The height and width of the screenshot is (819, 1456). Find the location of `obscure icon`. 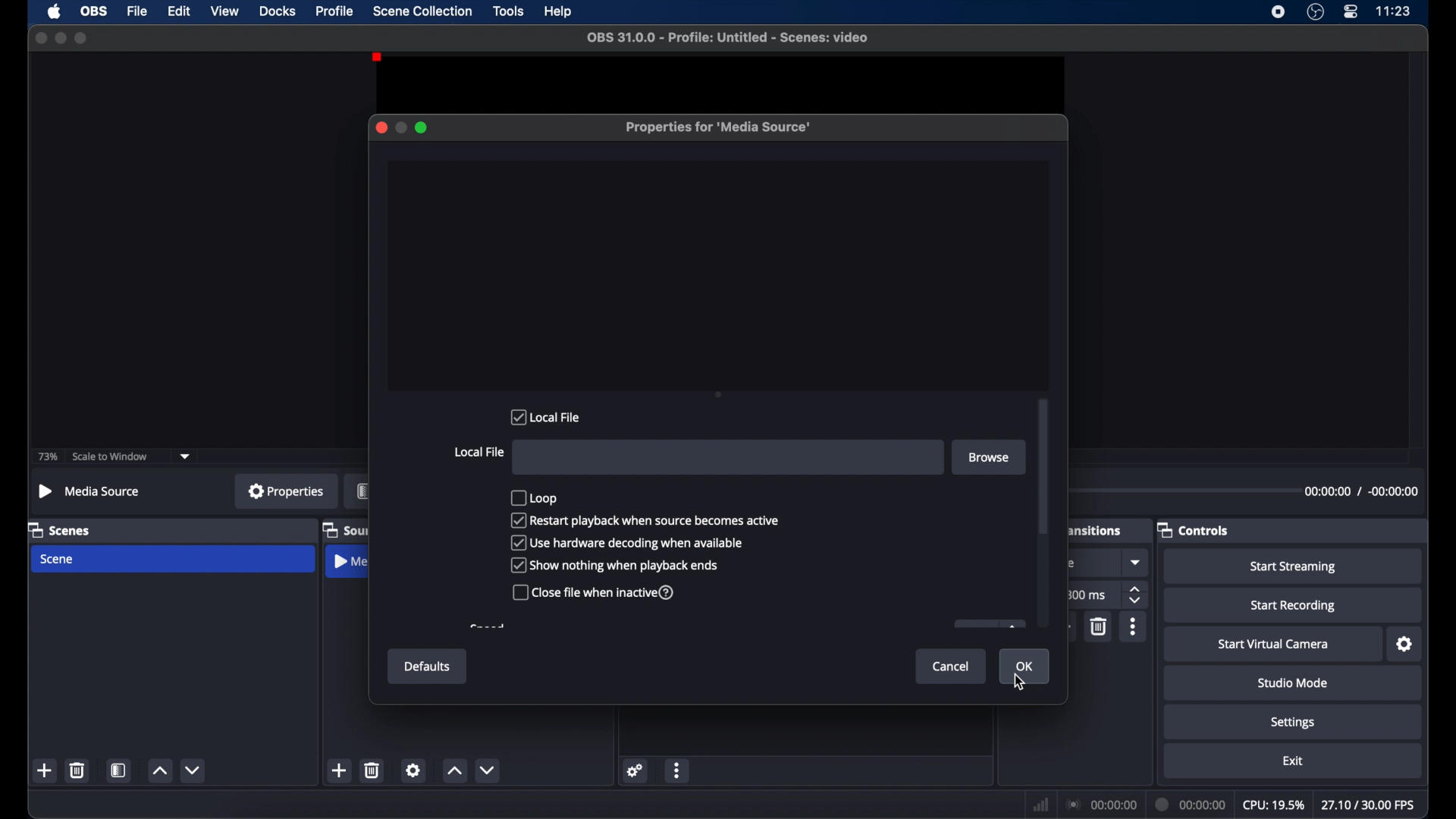

obscure icon is located at coordinates (989, 624).